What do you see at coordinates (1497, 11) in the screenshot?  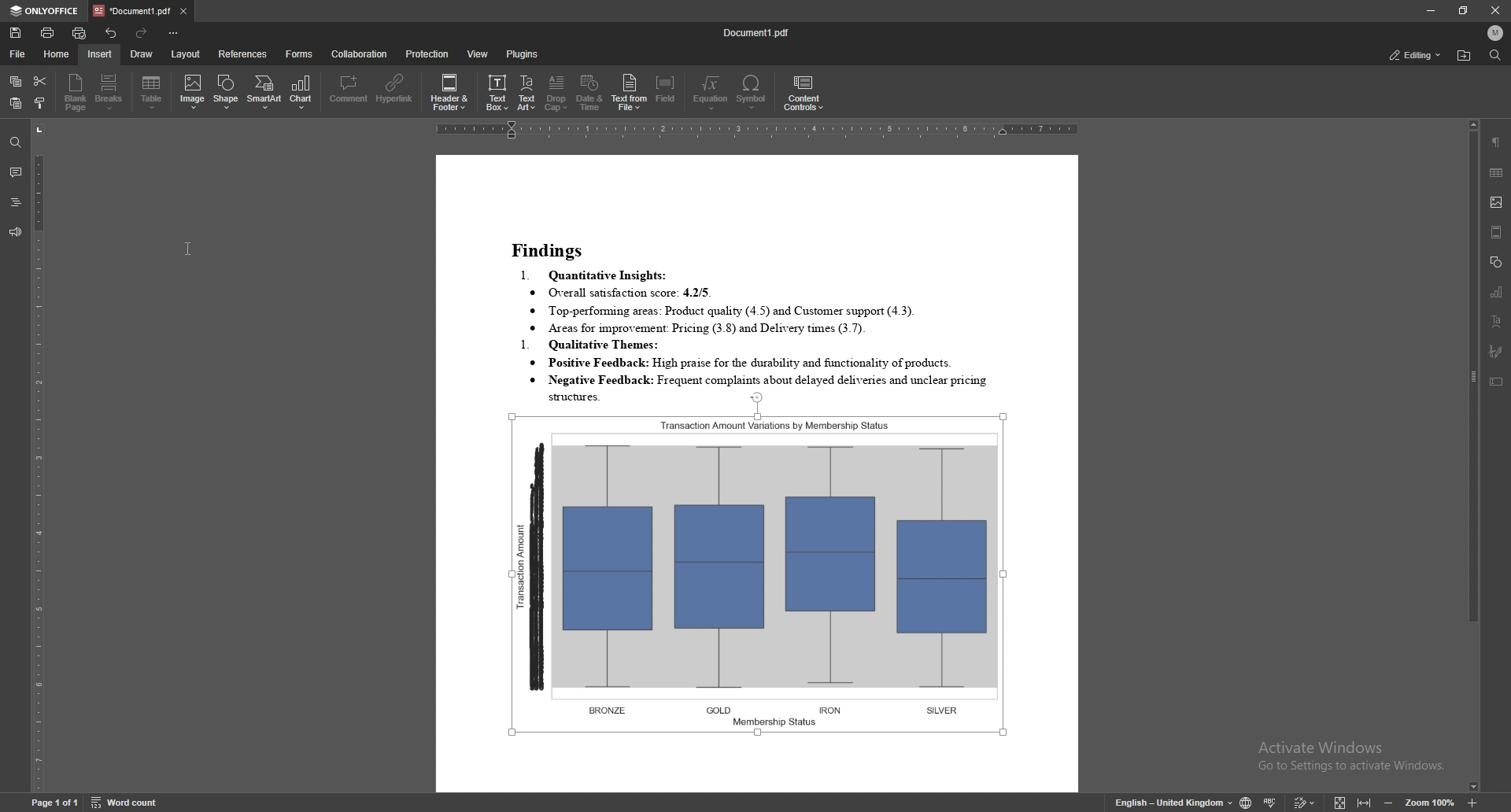 I see `close` at bounding box center [1497, 11].